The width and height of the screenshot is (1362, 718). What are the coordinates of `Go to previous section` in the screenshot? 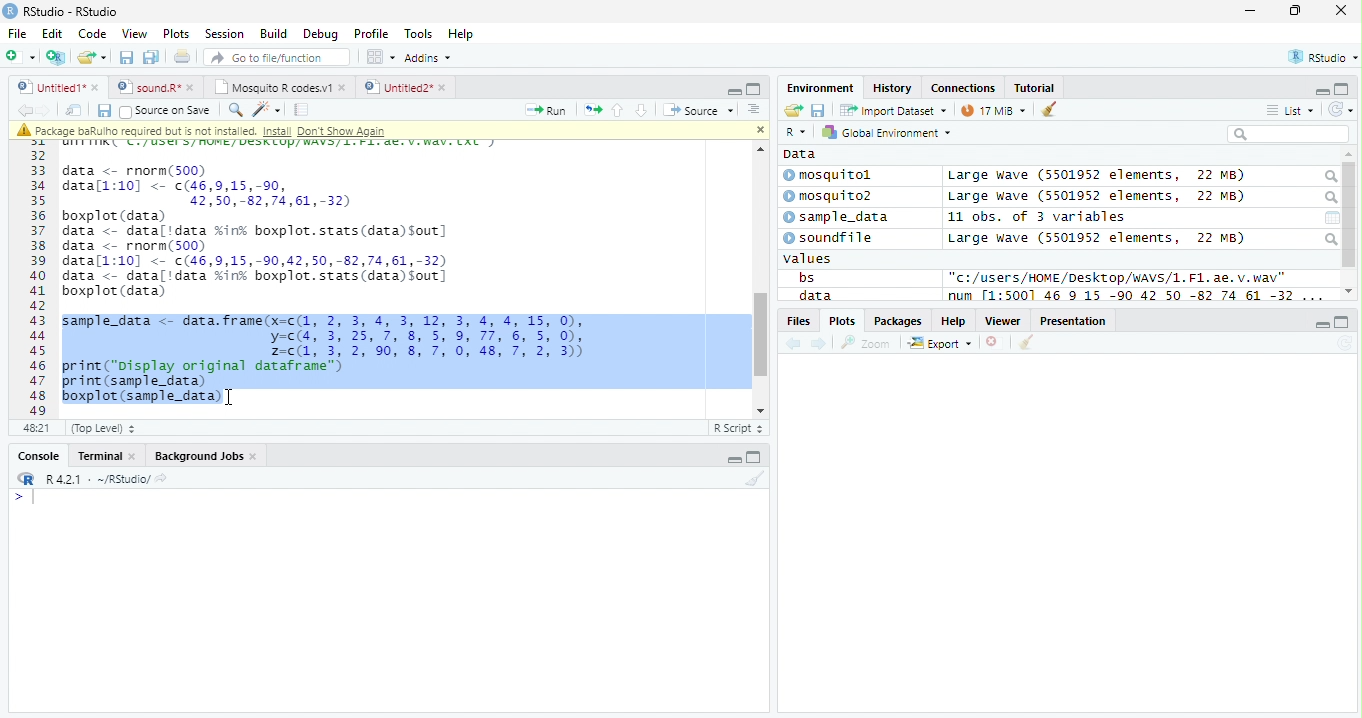 It's located at (616, 110).